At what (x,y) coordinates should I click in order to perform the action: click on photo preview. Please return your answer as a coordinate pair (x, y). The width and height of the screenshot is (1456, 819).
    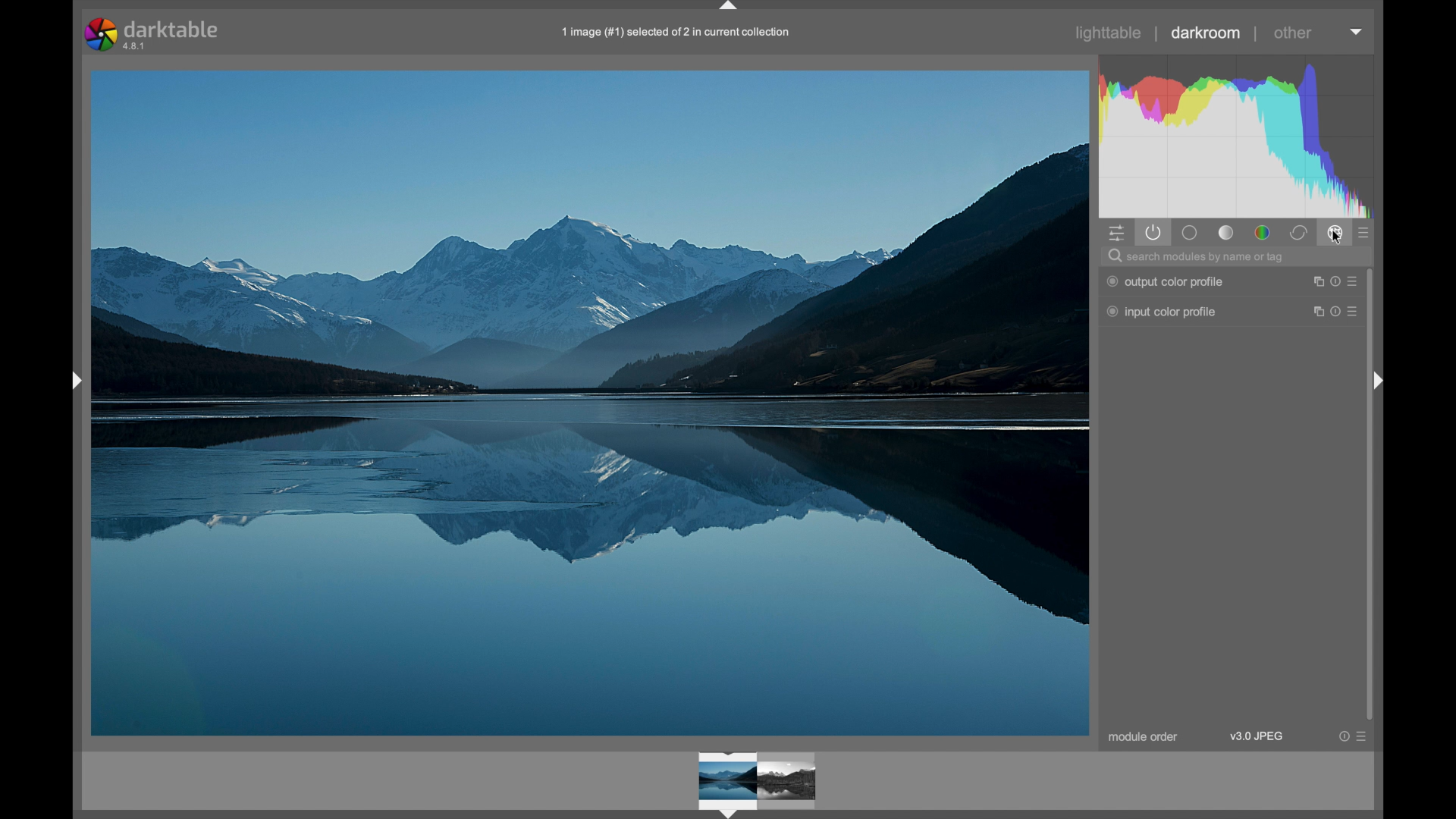
    Looking at the image, I should click on (755, 782).